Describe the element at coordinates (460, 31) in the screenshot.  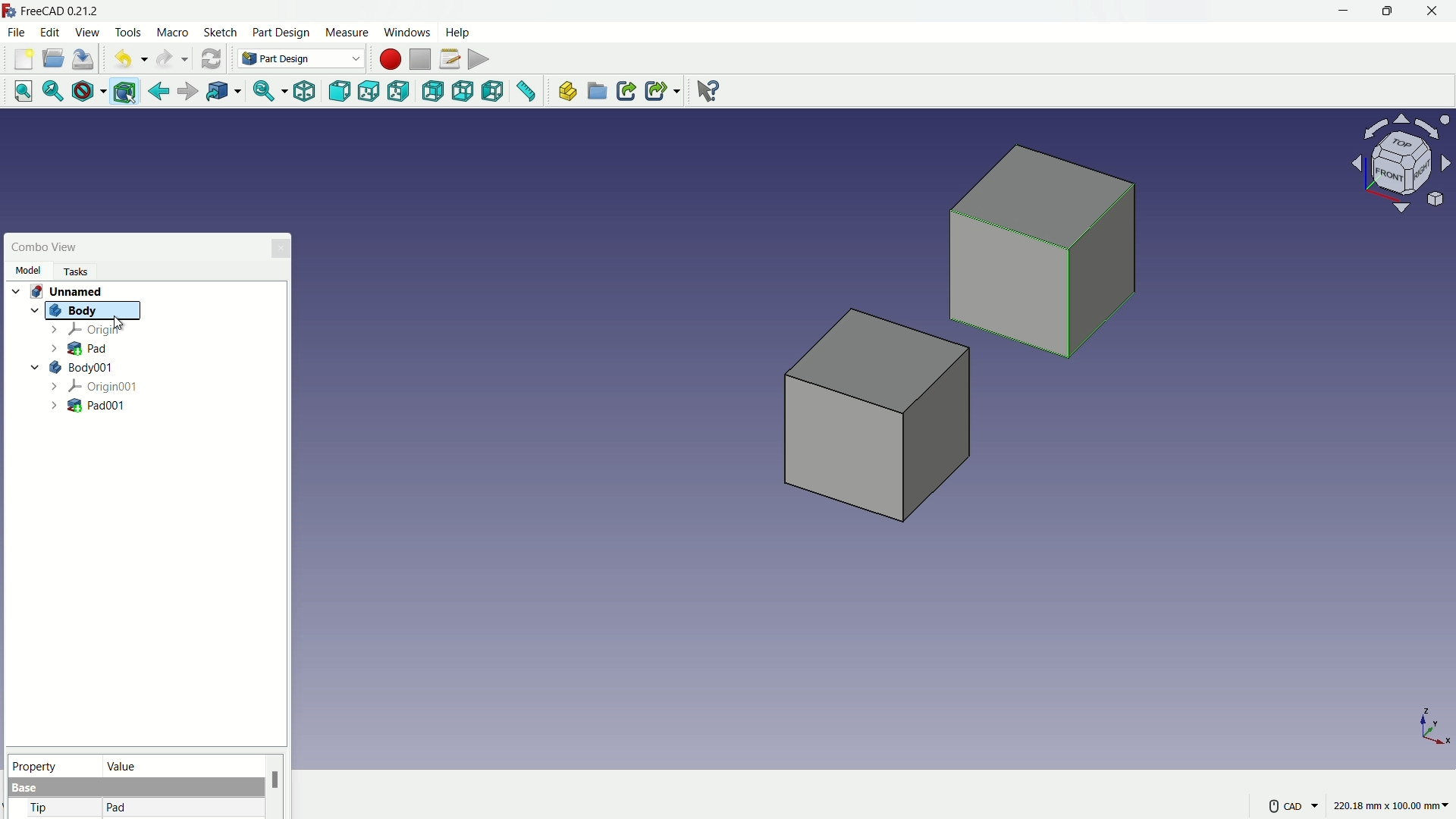
I see `help` at that location.